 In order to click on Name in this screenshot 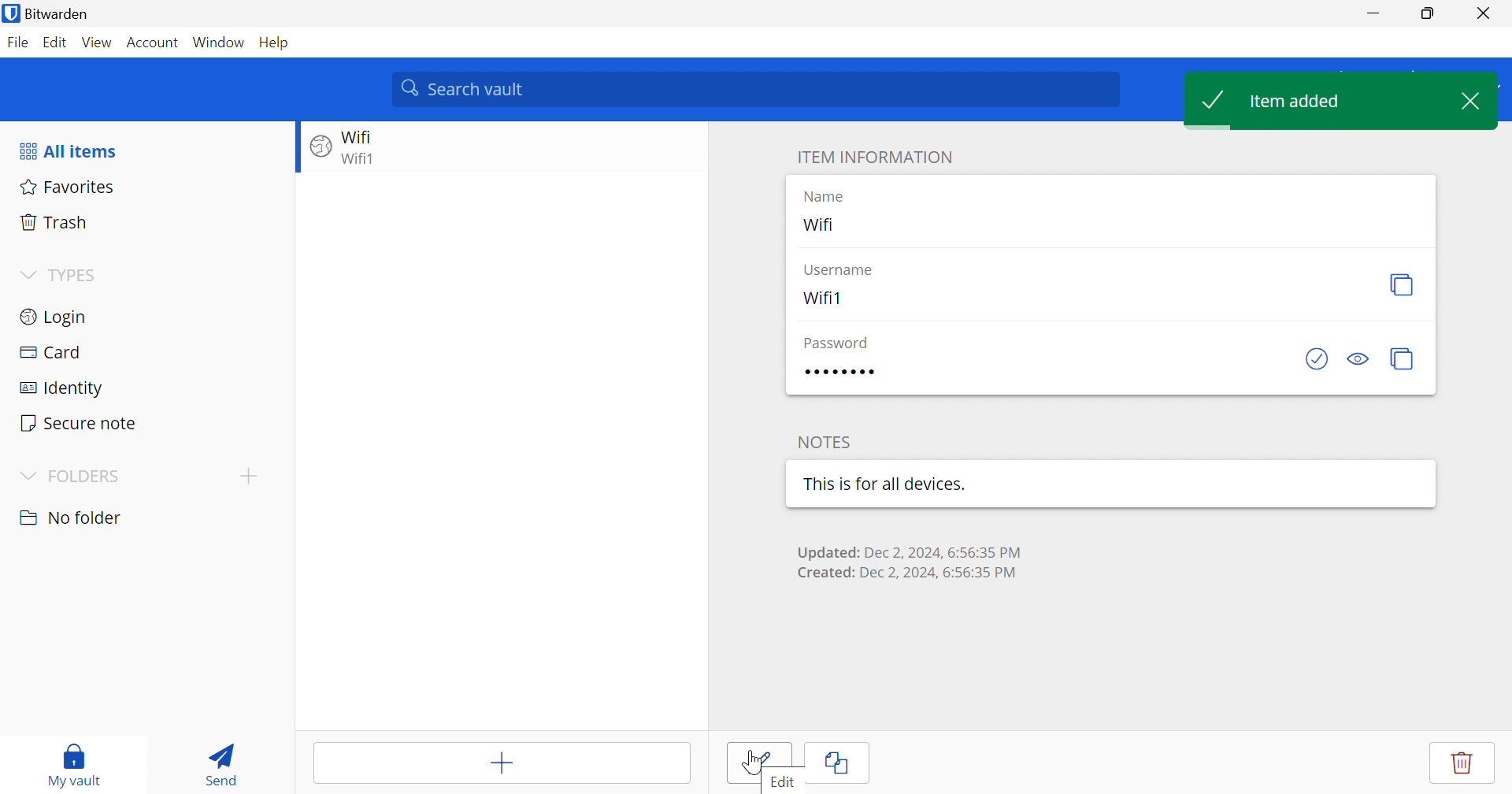, I will do `click(821, 195)`.